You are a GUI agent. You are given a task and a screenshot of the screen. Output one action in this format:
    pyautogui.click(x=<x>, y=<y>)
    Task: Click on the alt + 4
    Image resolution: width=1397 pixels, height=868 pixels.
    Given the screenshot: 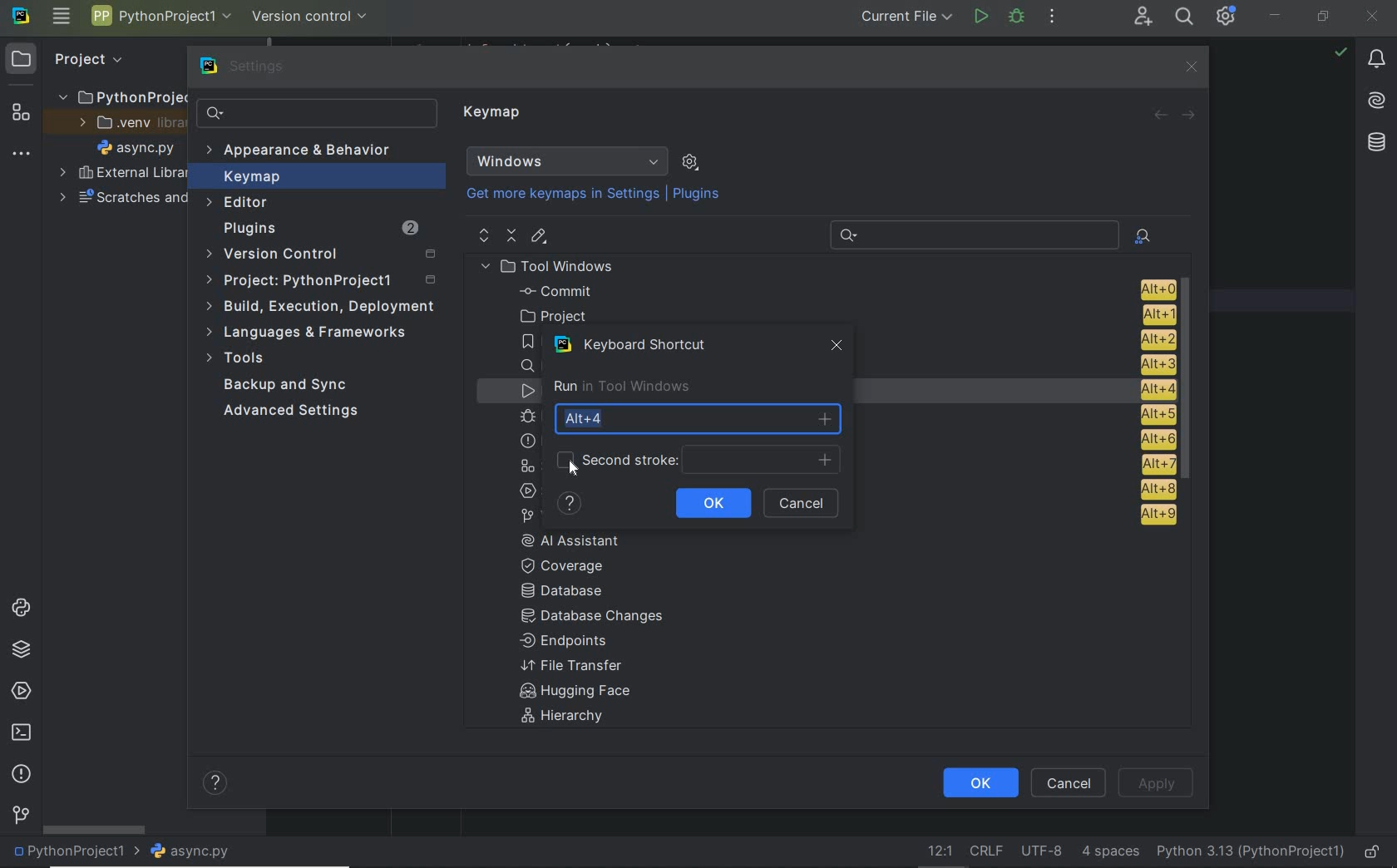 What is the action you would take?
    pyautogui.click(x=1150, y=389)
    